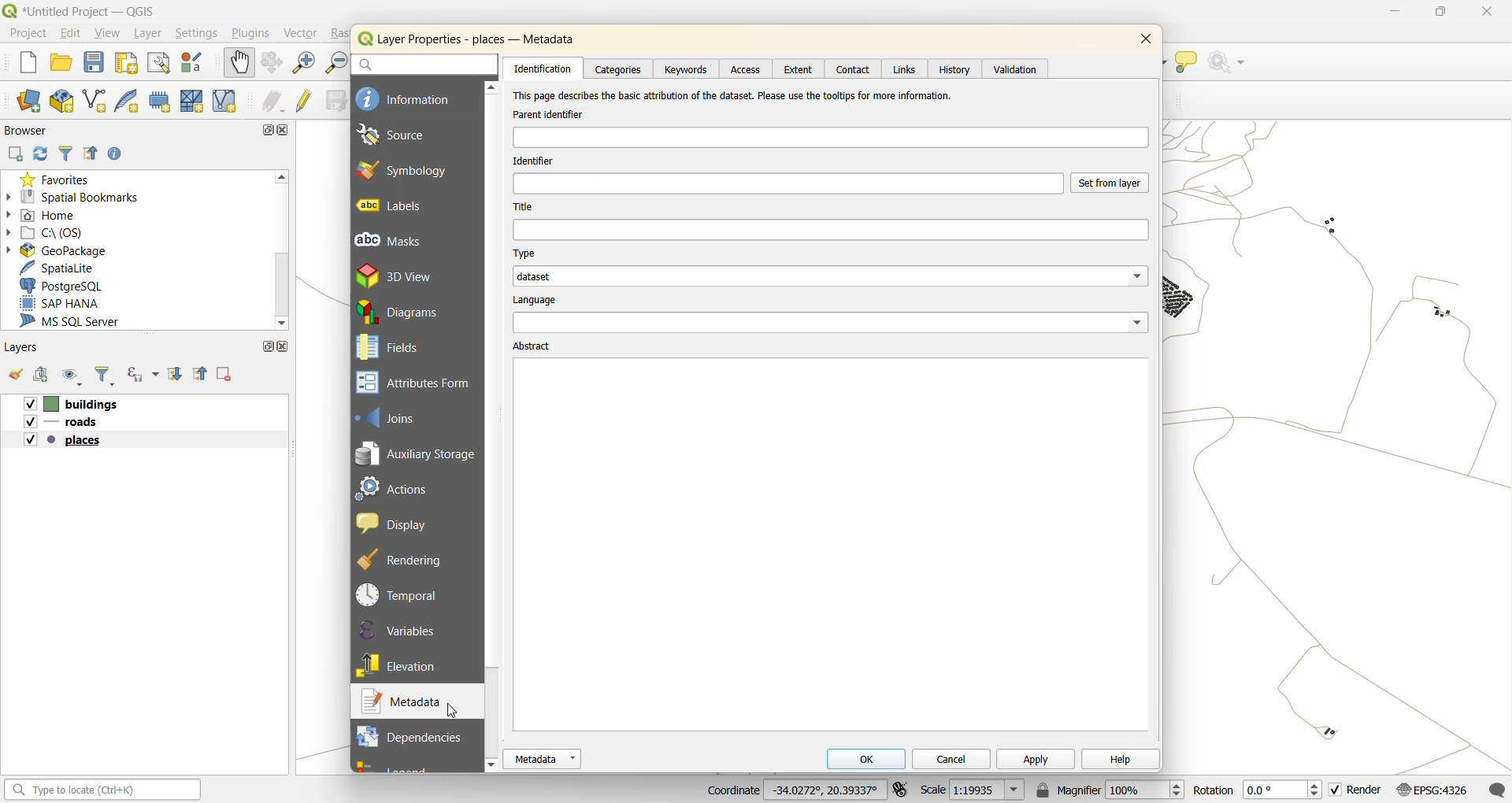  What do you see at coordinates (197, 102) in the screenshot?
I see `new mesh` at bounding box center [197, 102].